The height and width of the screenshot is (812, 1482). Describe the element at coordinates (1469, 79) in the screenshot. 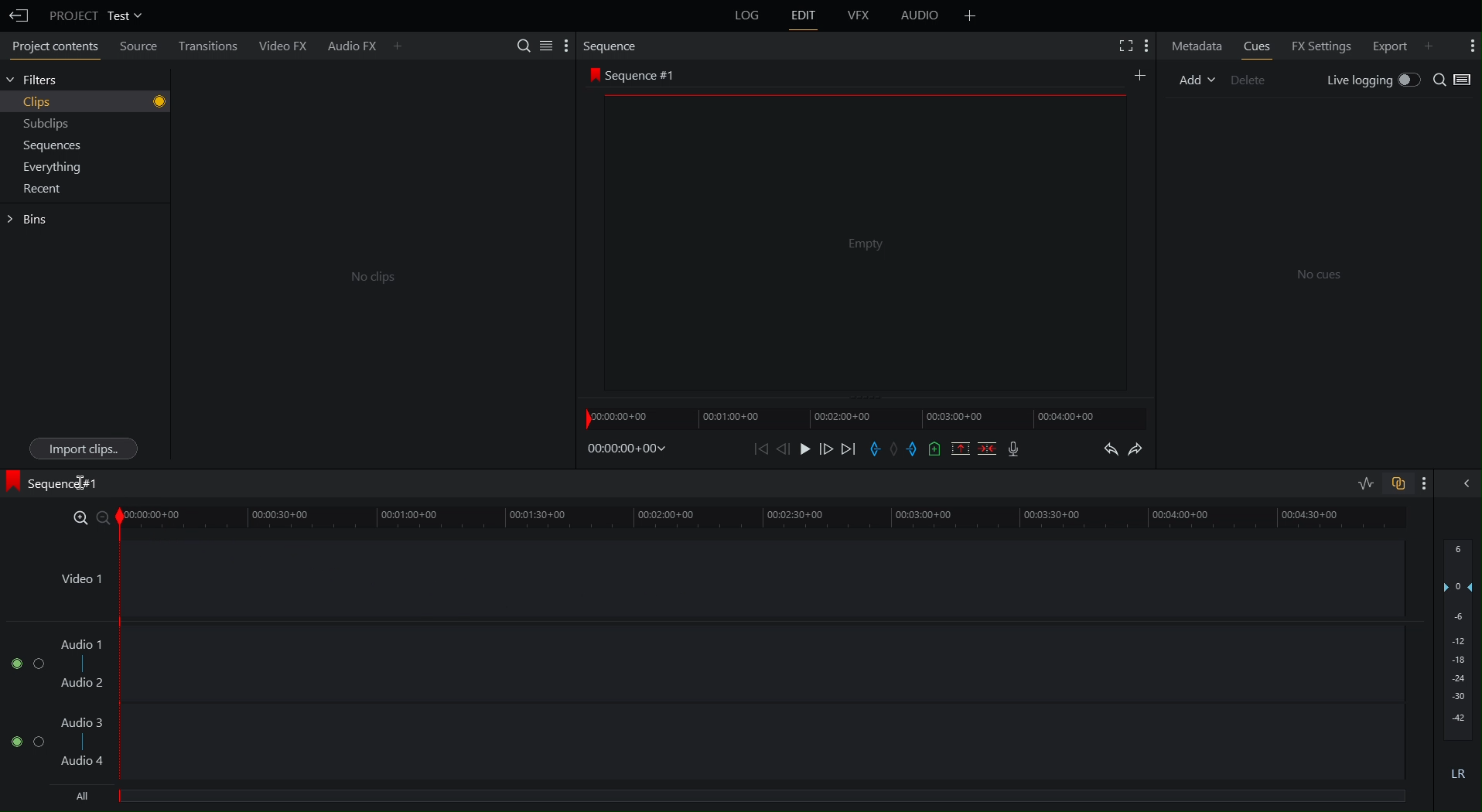

I see `Toggle View` at that location.